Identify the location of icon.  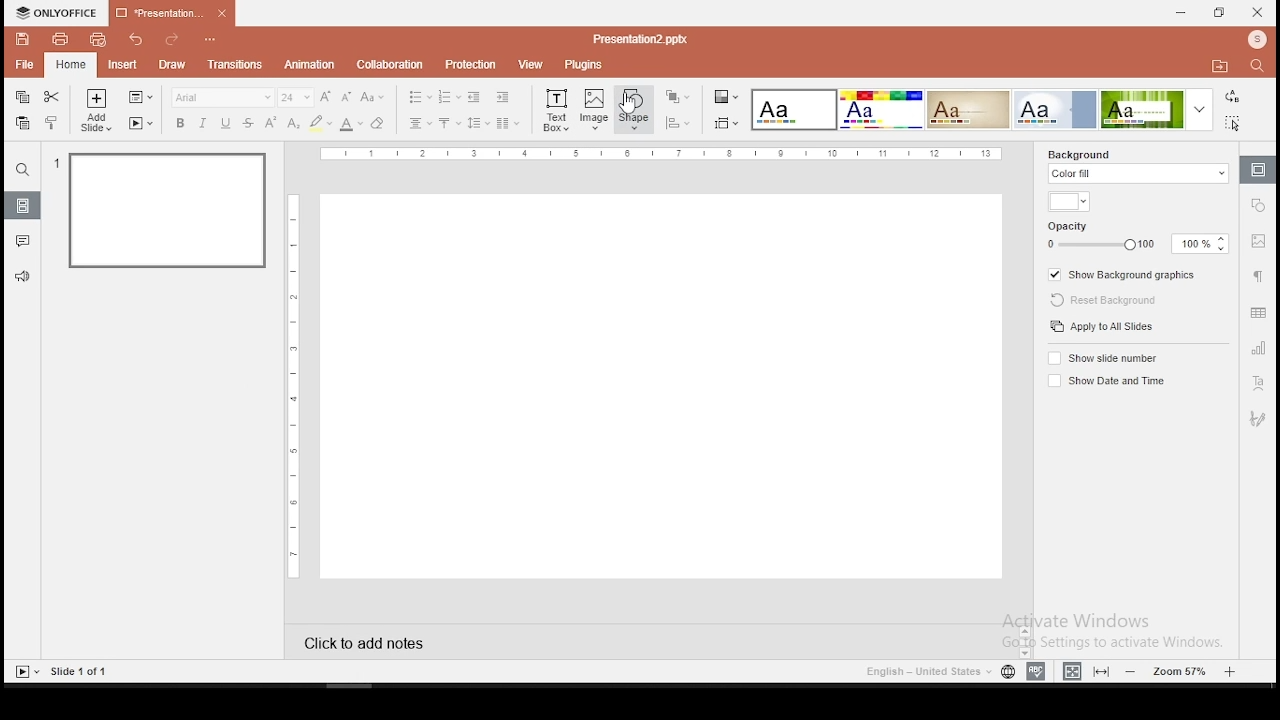
(57, 13).